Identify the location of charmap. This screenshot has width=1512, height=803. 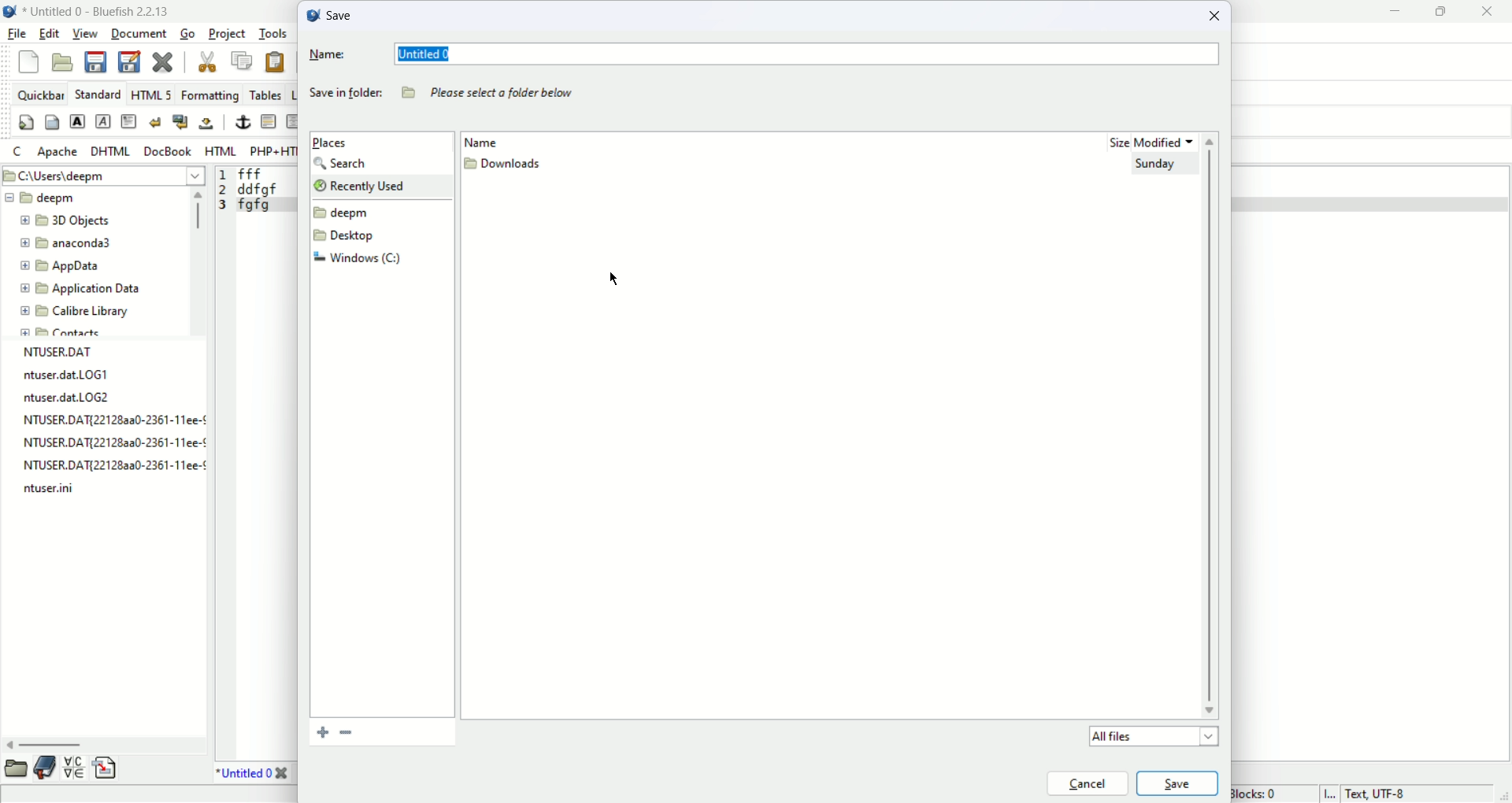
(75, 772).